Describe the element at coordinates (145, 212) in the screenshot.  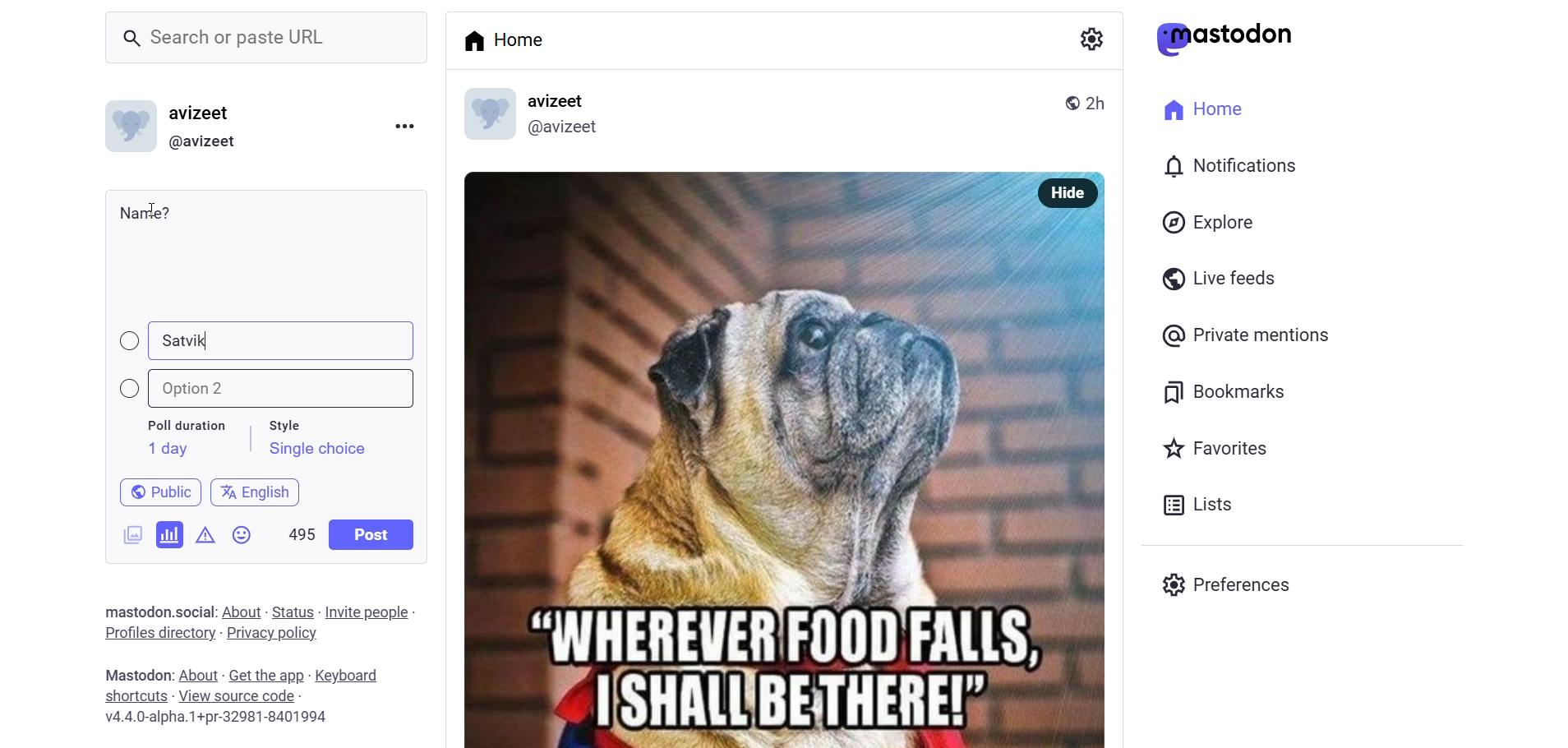
I see `name?` at that location.